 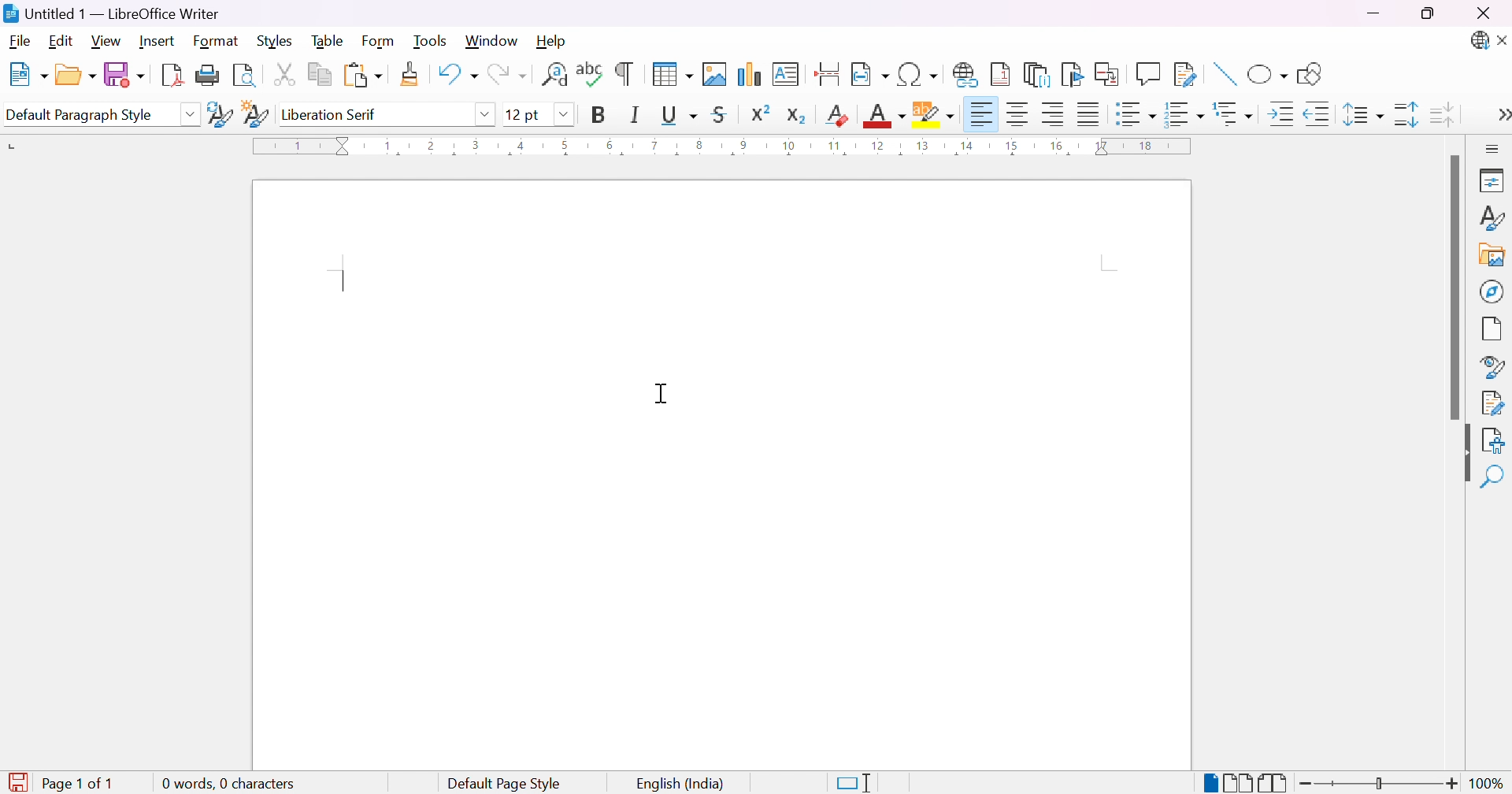 I want to click on Page 1 of 1, so click(x=61, y=784).